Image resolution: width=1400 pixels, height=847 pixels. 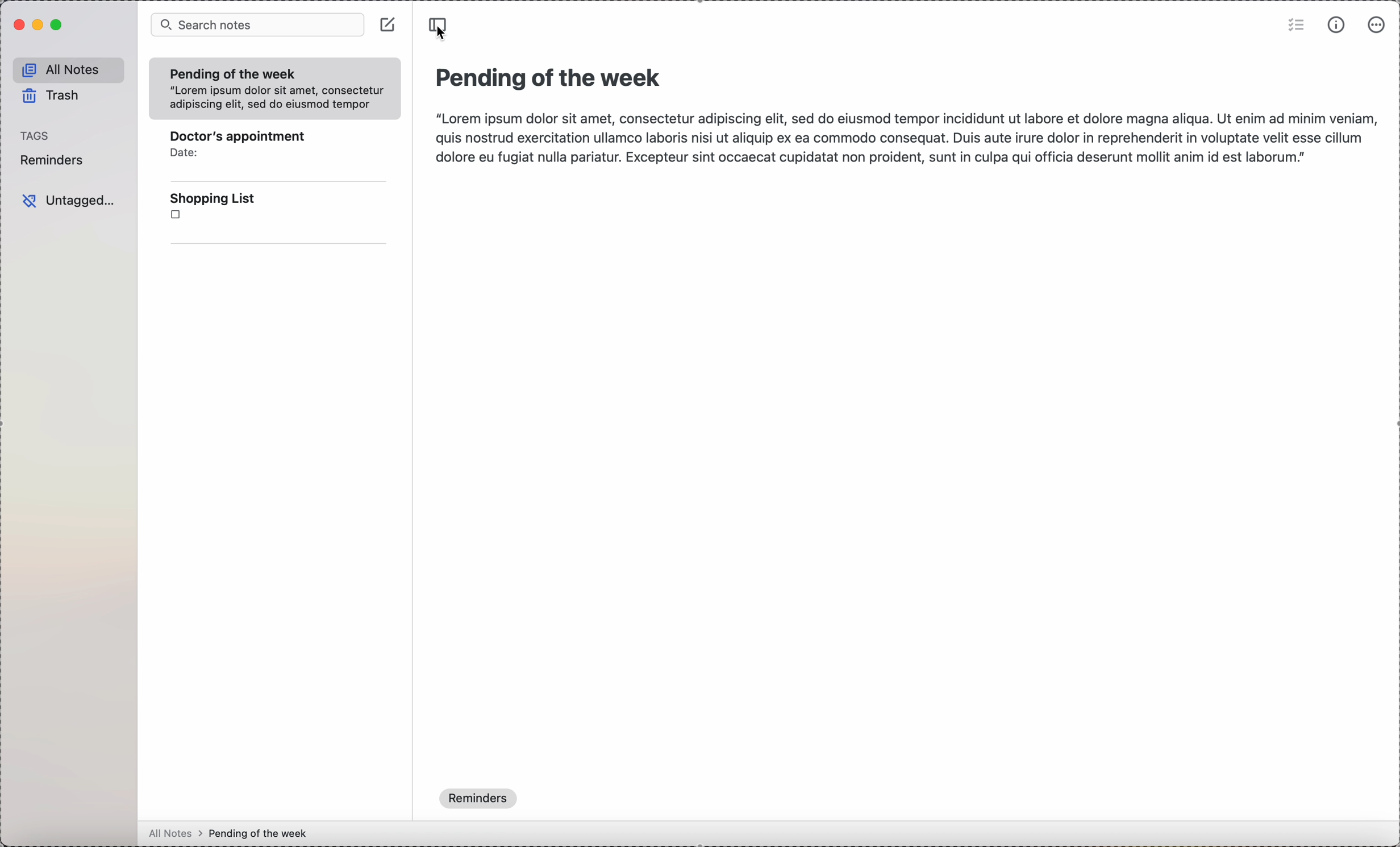 I want to click on click to toggle sidebar, so click(x=438, y=28).